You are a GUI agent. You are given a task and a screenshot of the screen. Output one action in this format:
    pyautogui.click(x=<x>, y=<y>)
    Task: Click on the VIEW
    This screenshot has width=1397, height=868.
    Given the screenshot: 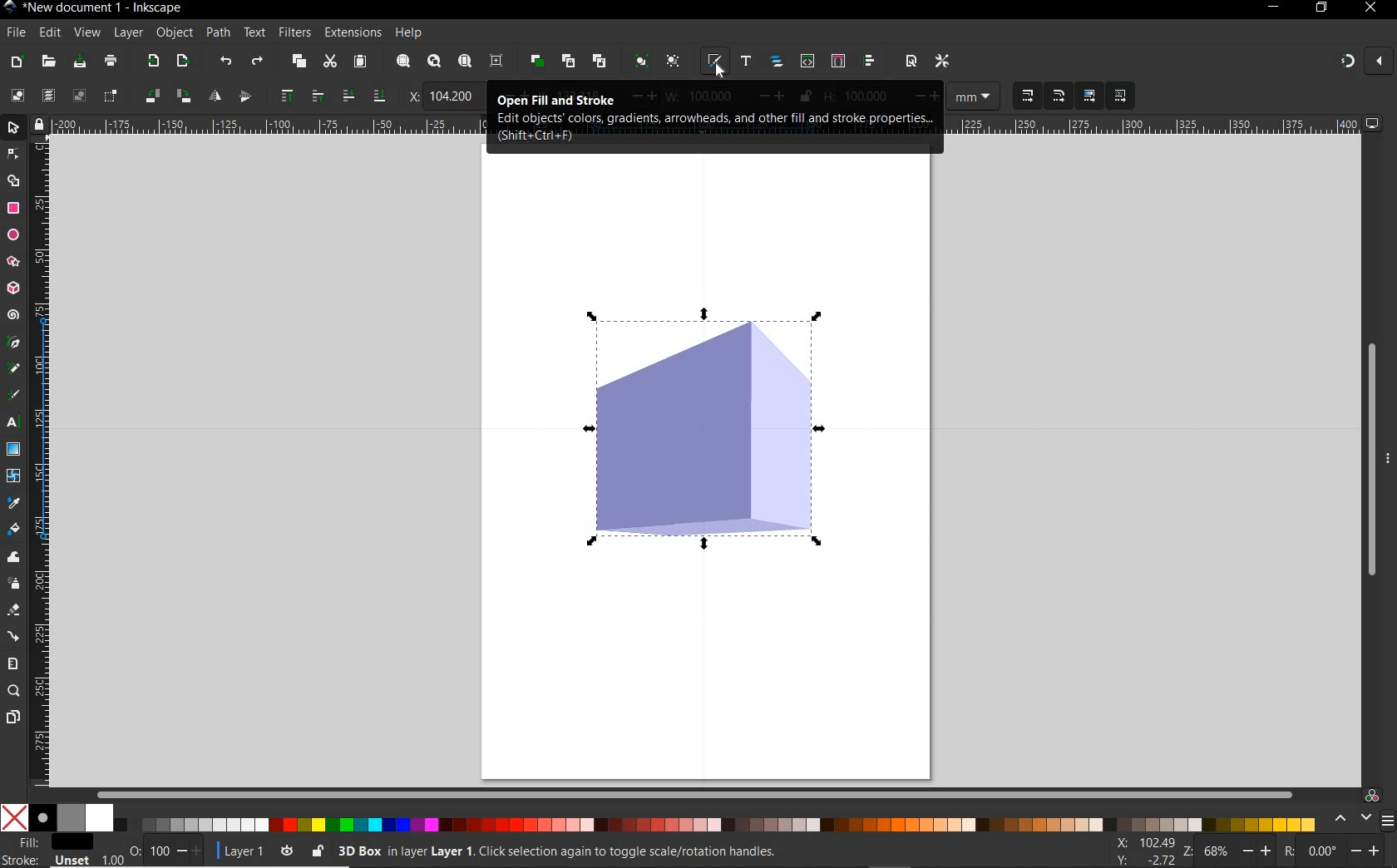 What is the action you would take?
    pyautogui.click(x=86, y=34)
    